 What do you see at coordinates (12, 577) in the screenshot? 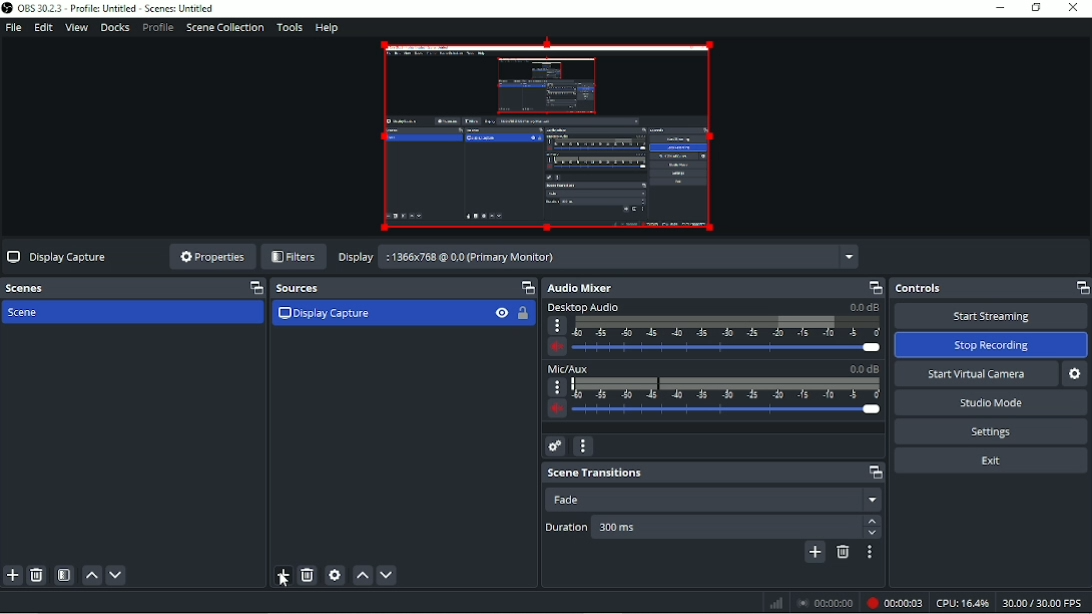
I see `Add scene` at bounding box center [12, 577].